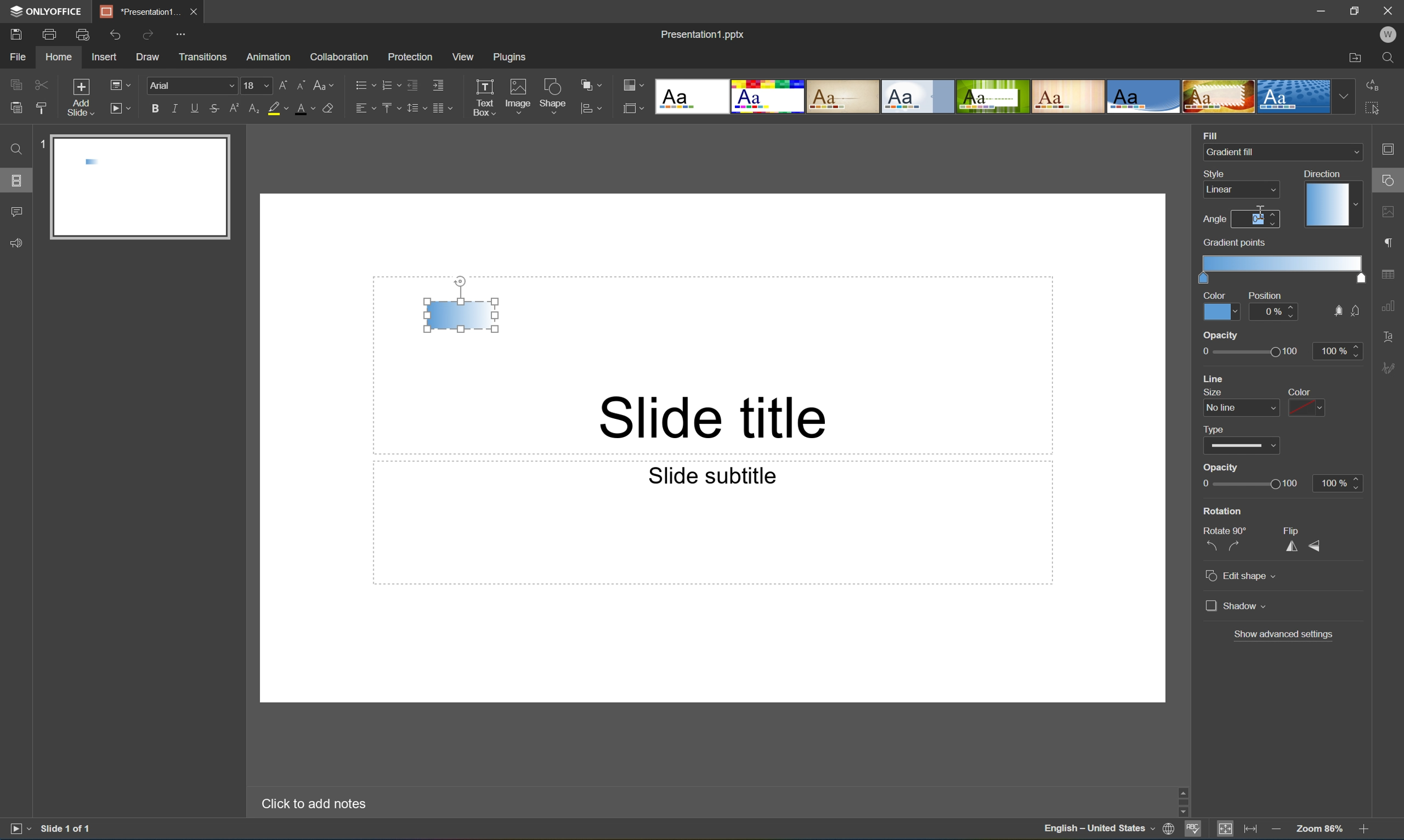 This screenshot has height=840, width=1404. I want to click on View, so click(464, 57).